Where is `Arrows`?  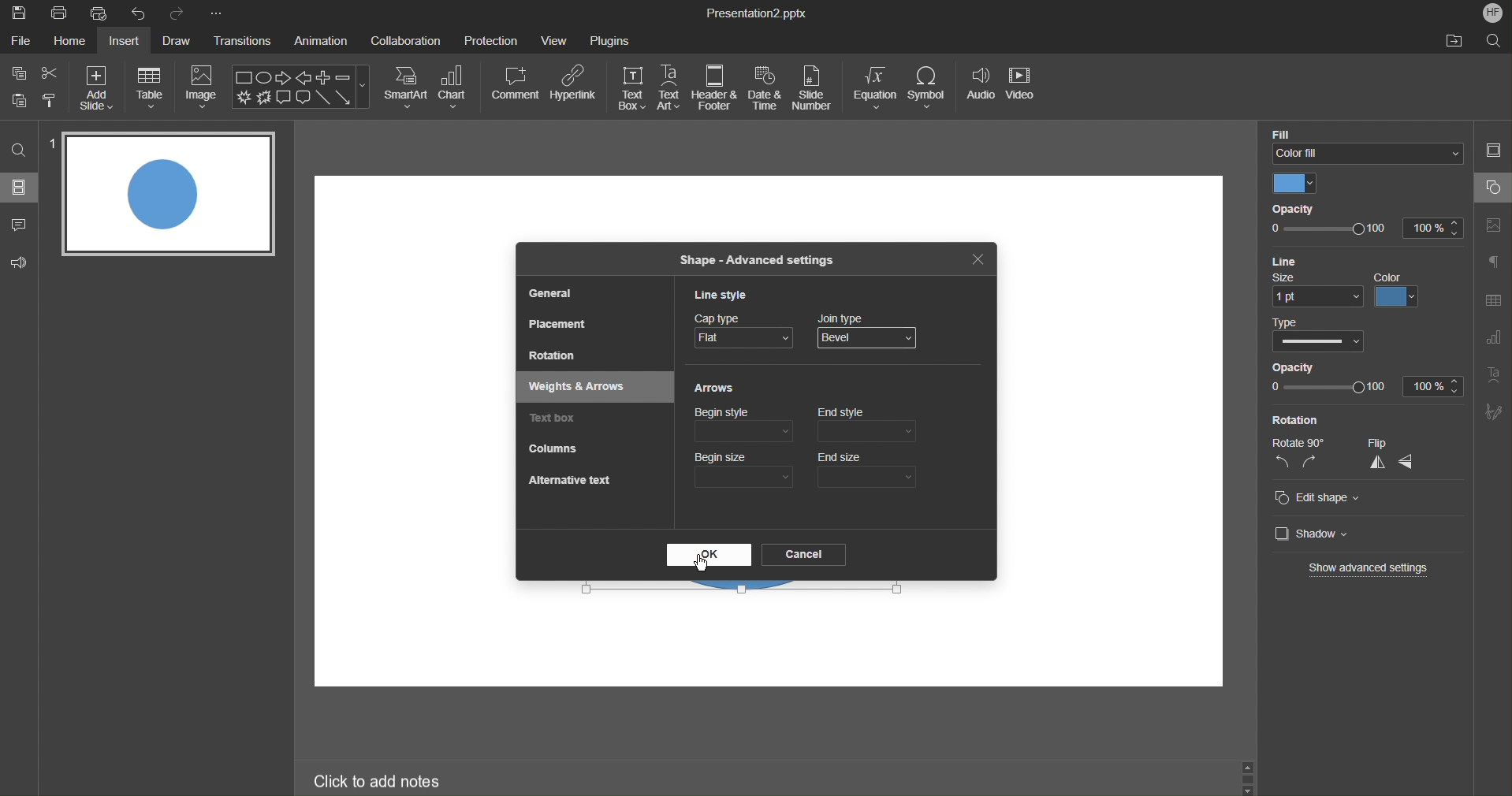
Arrows is located at coordinates (714, 389).